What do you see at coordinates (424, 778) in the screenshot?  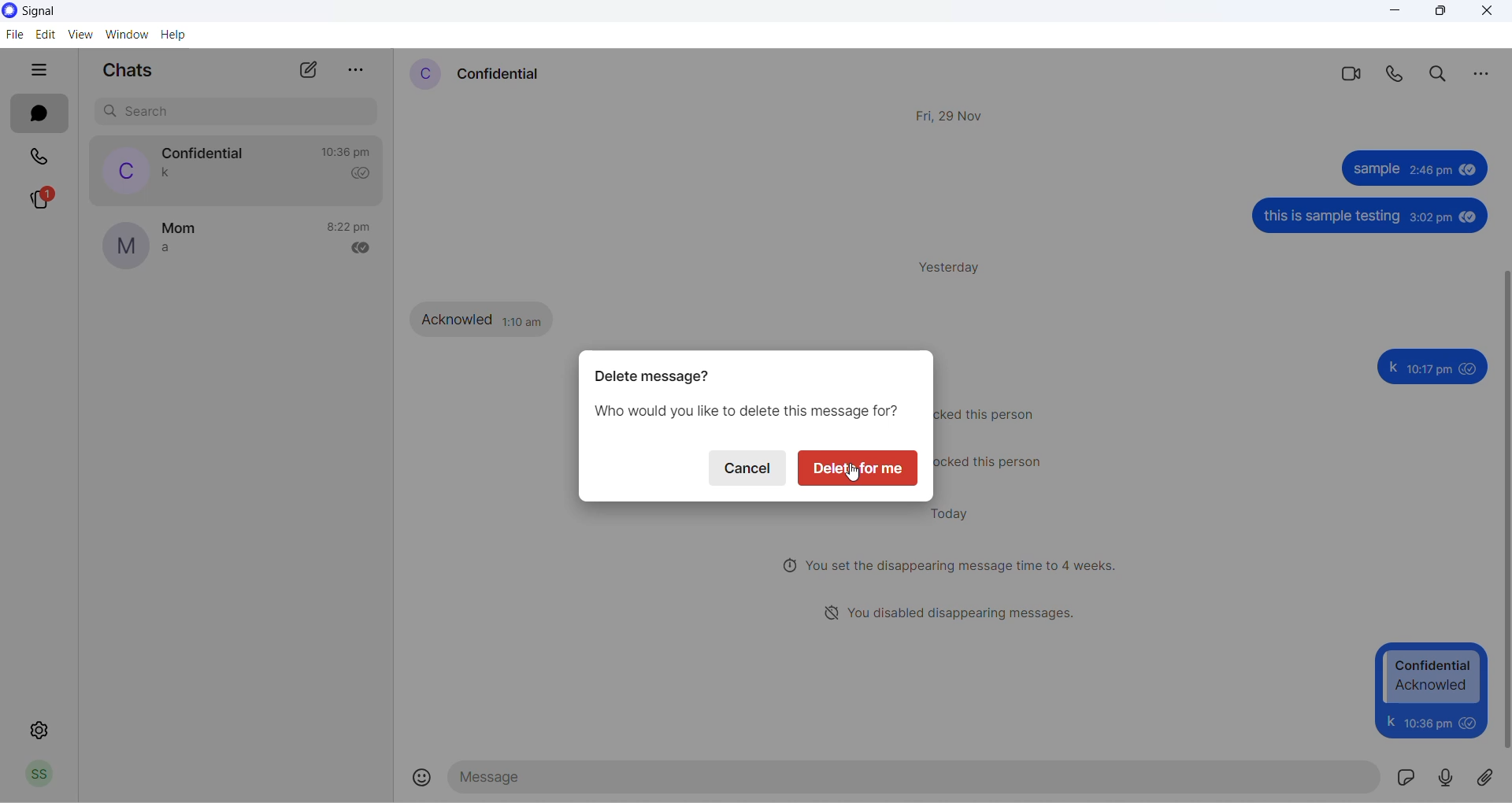 I see `emojis` at bounding box center [424, 778].